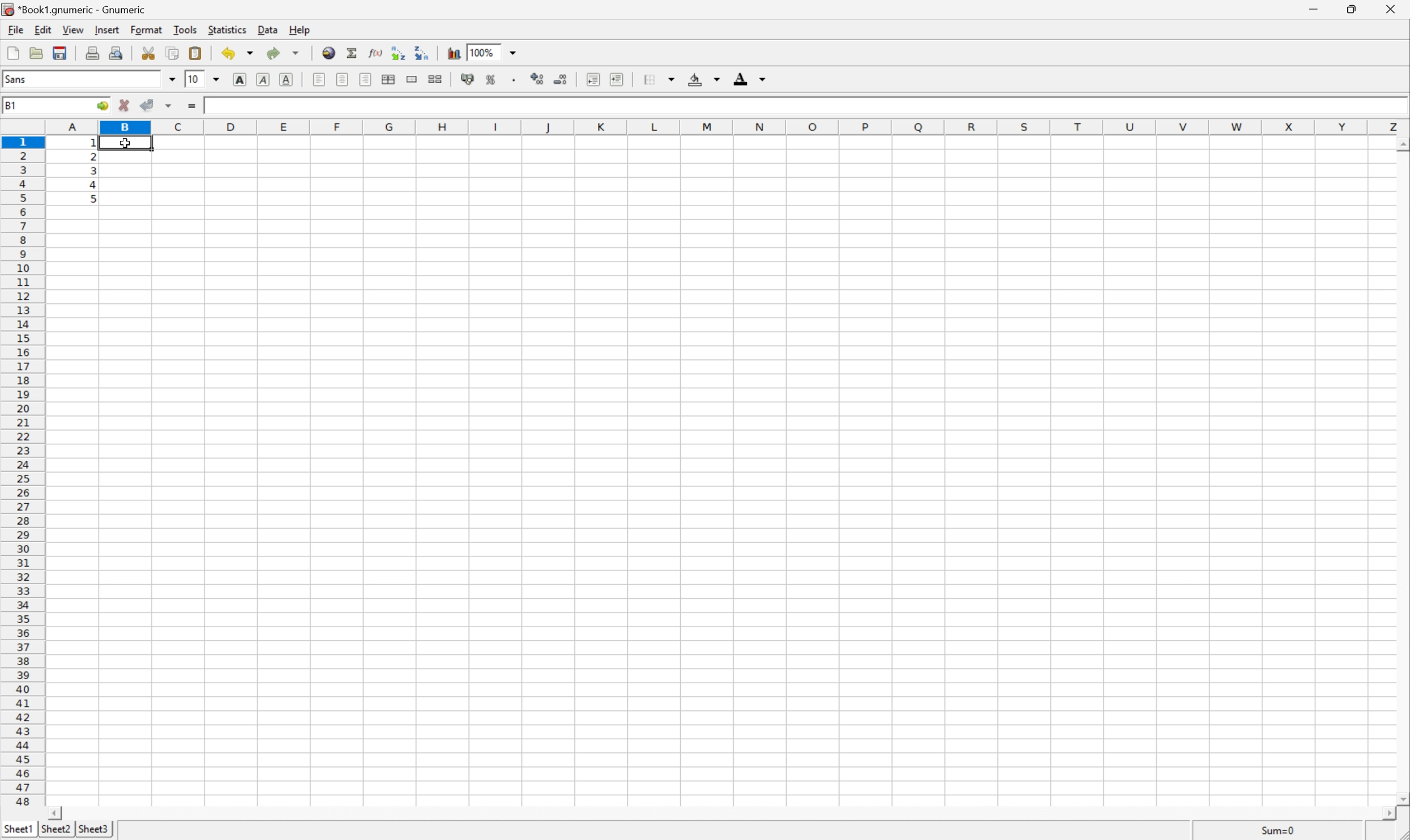 Image resolution: width=1410 pixels, height=840 pixels. I want to click on View, so click(73, 29).